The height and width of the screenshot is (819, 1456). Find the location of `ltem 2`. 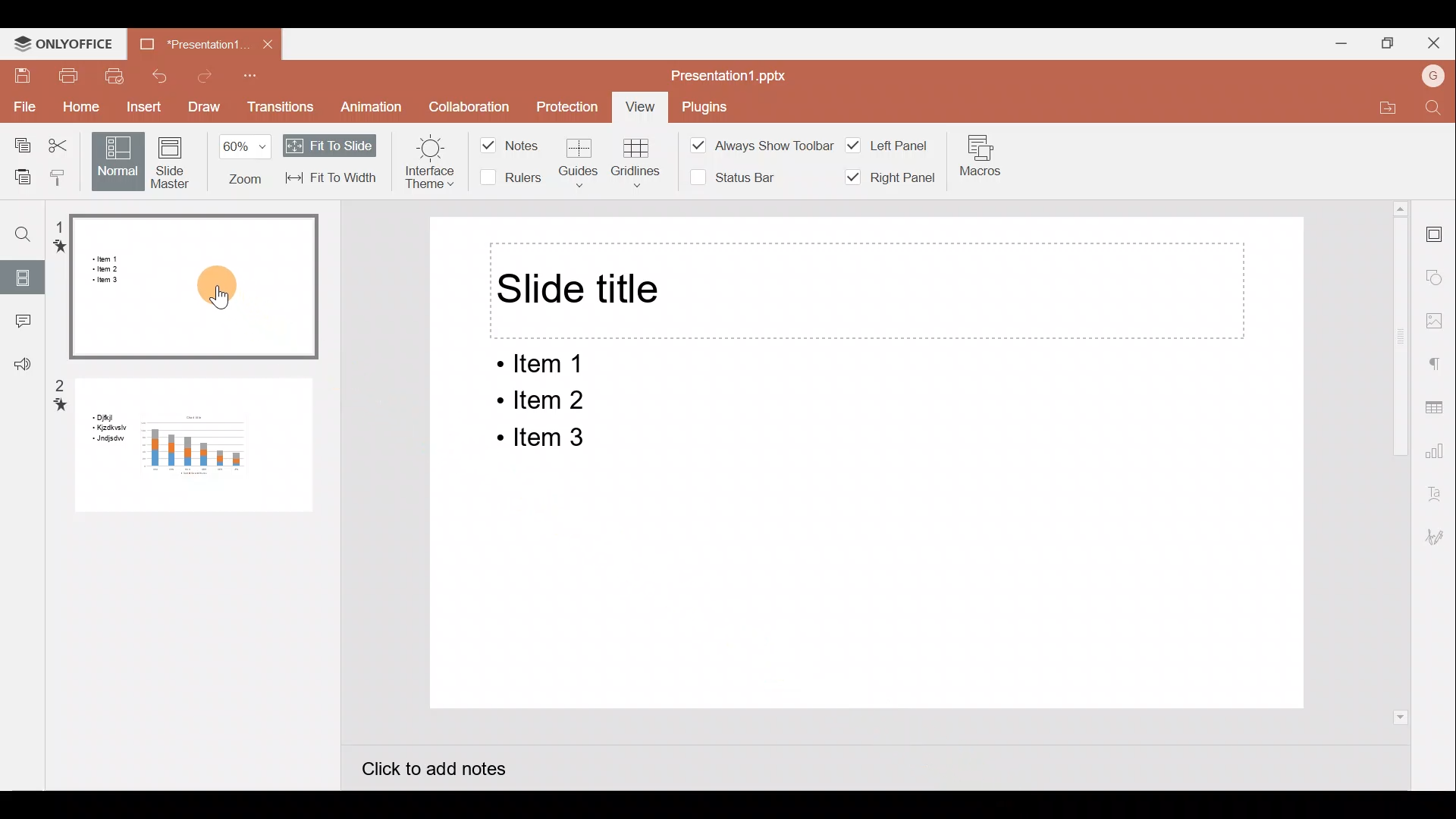

ltem 2 is located at coordinates (537, 400).